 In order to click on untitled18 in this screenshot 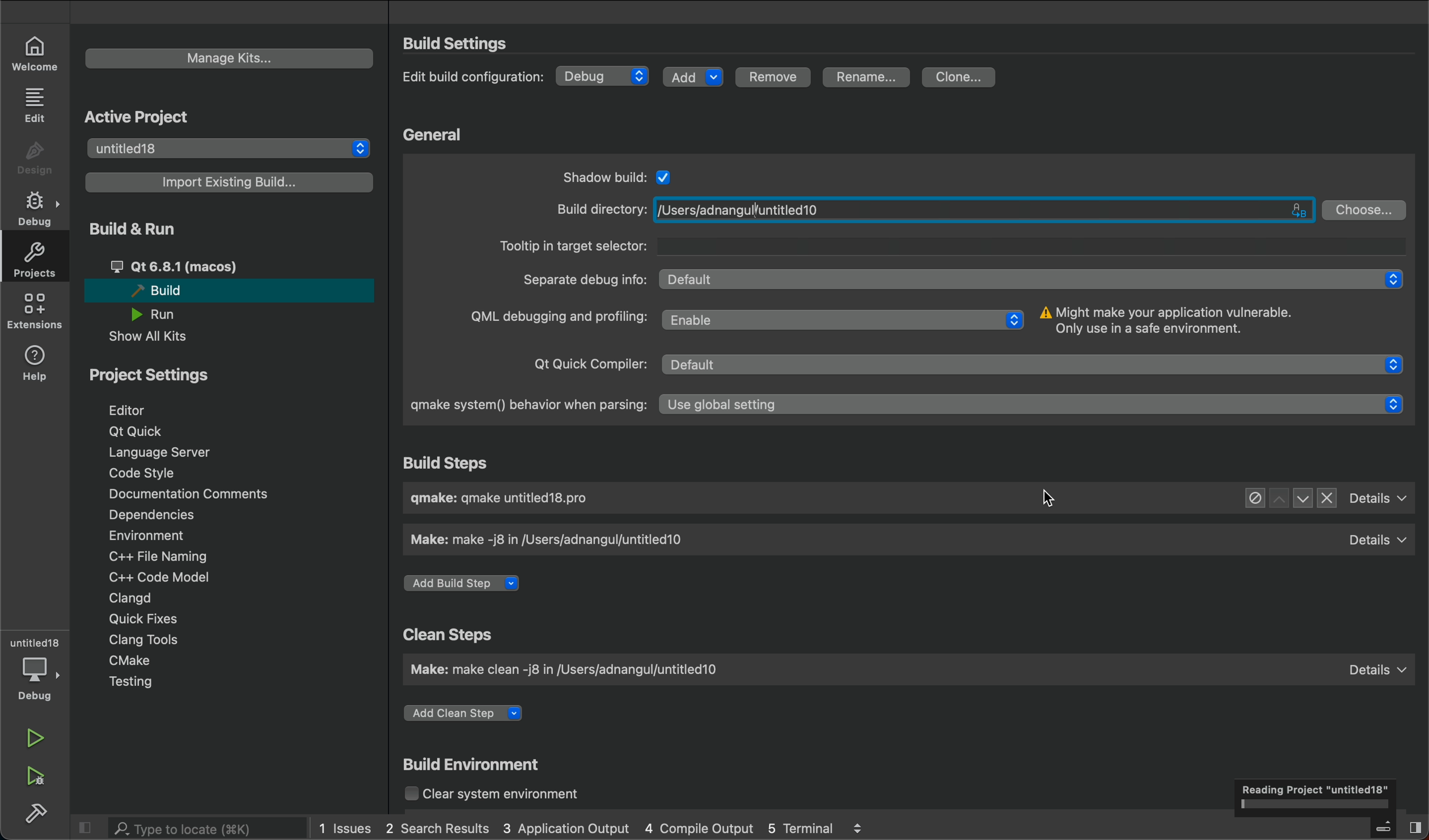, I will do `click(231, 147)`.